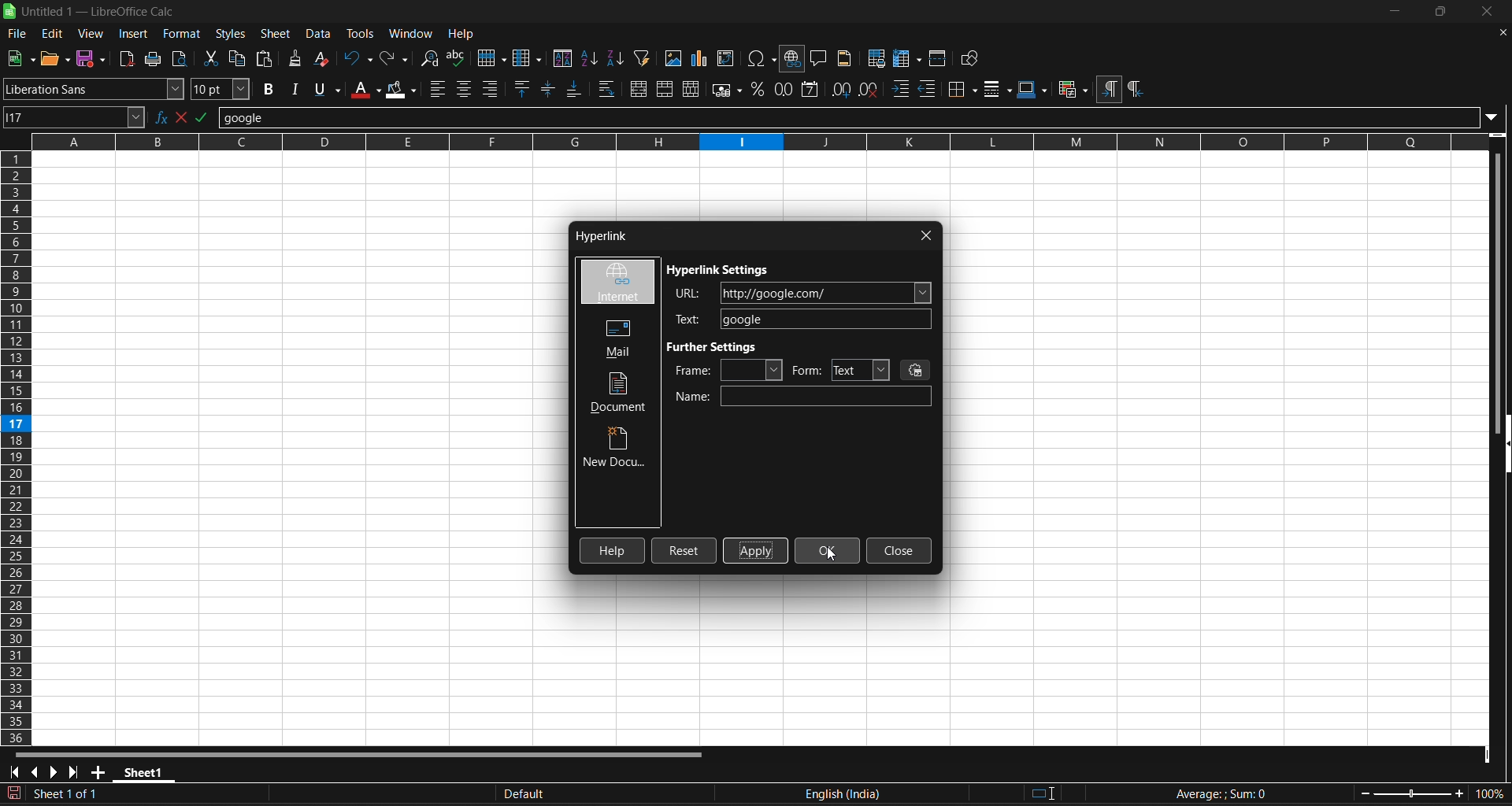  What do you see at coordinates (465, 89) in the screenshot?
I see `align center` at bounding box center [465, 89].